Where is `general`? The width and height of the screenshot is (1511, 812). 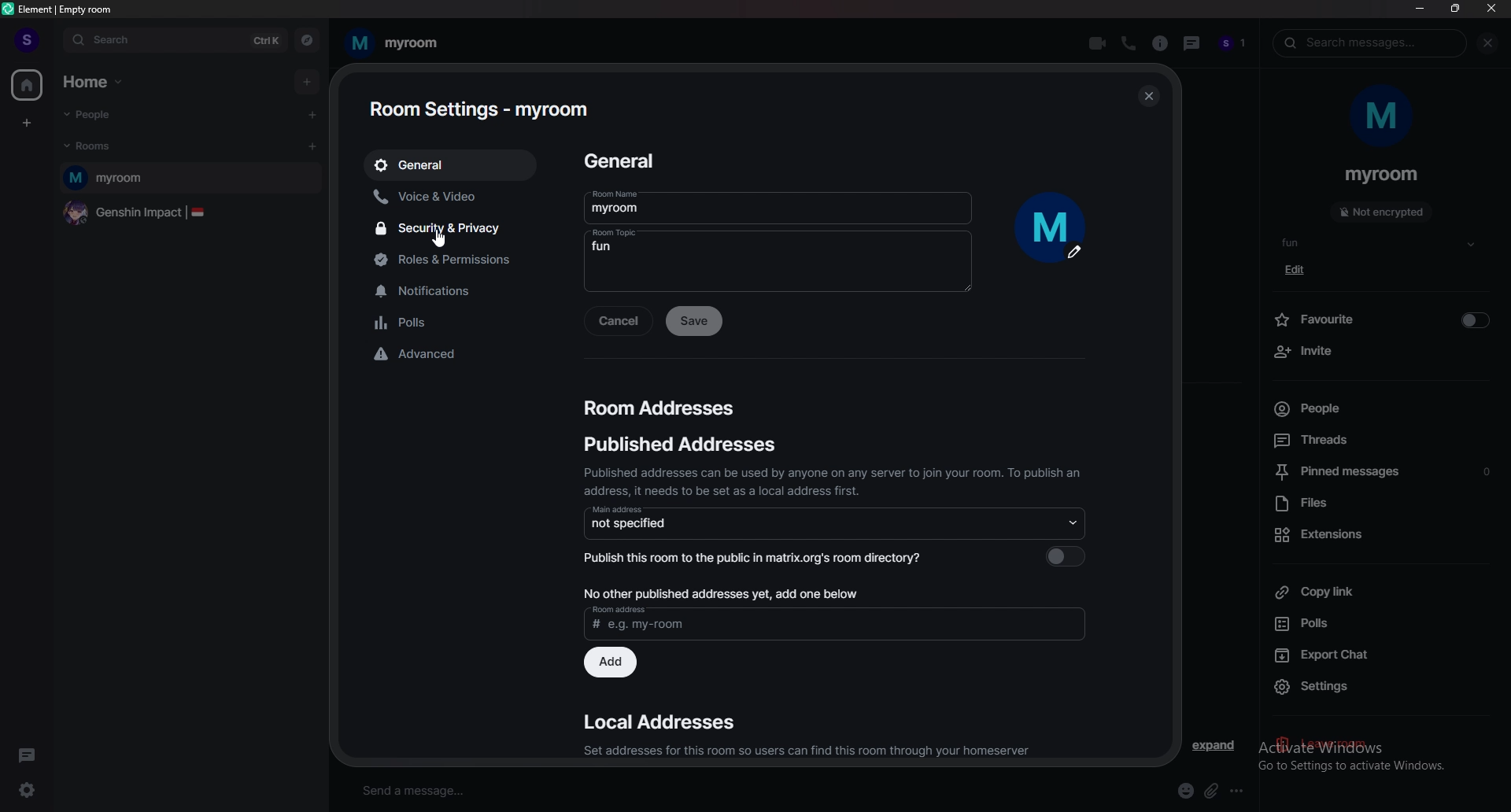
general is located at coordinates (451, 166).